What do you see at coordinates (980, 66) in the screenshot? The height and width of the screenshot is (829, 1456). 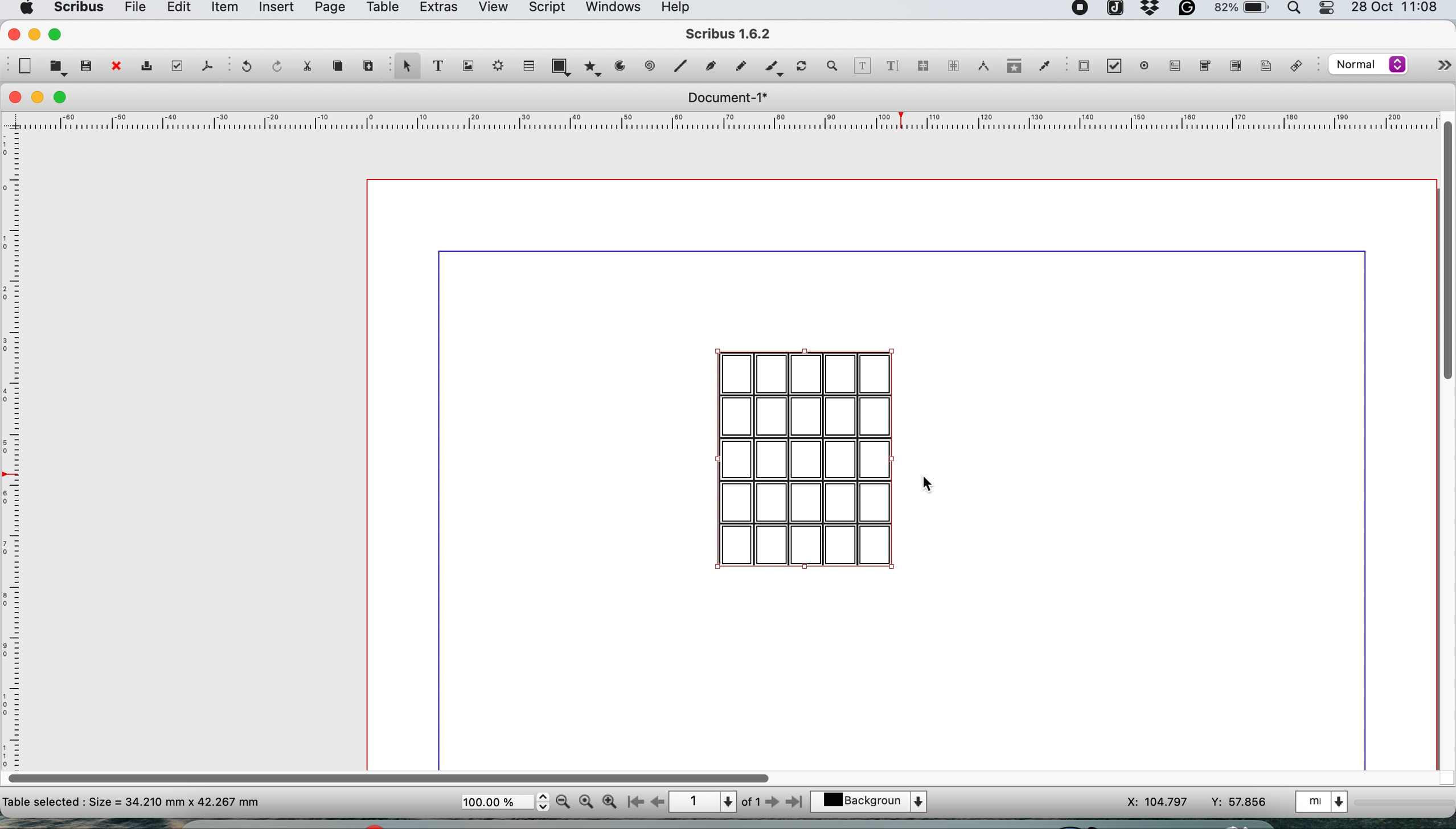 I see `measurements` at bounding box center [980, 66].